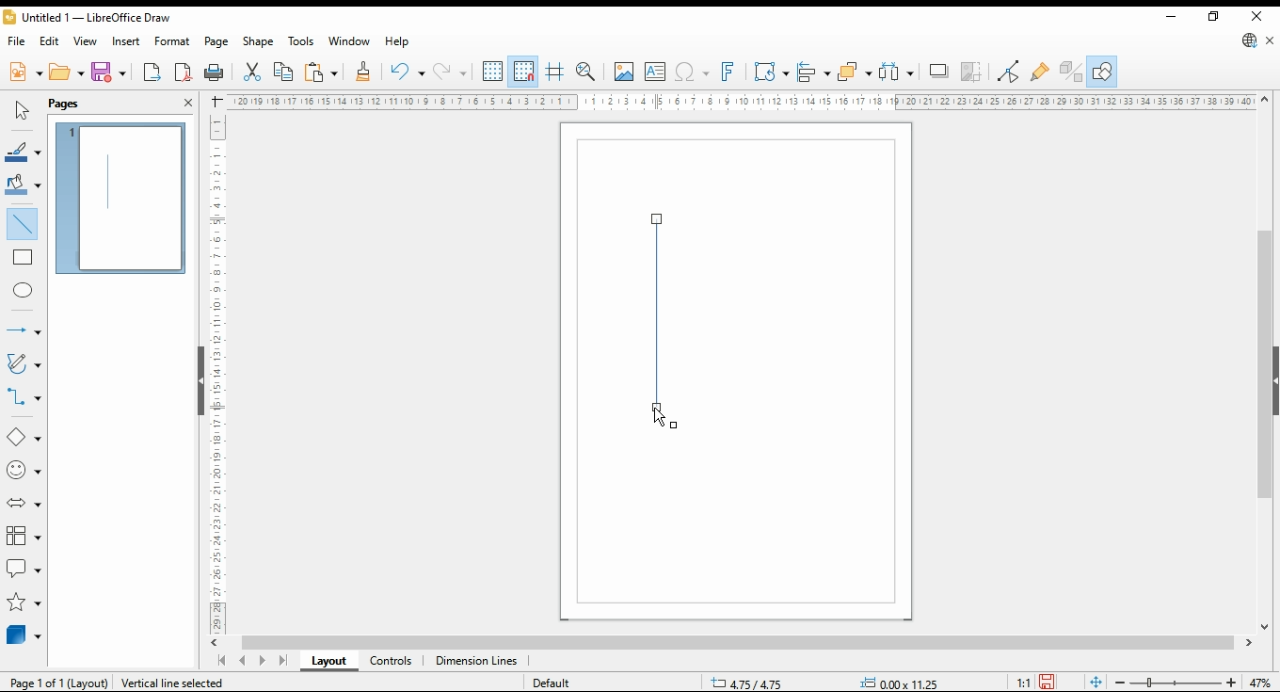 The image size is (1280, 692). Describe the element at coordinates (25, 504) in the screenshot. I see `block arrows` at that location.